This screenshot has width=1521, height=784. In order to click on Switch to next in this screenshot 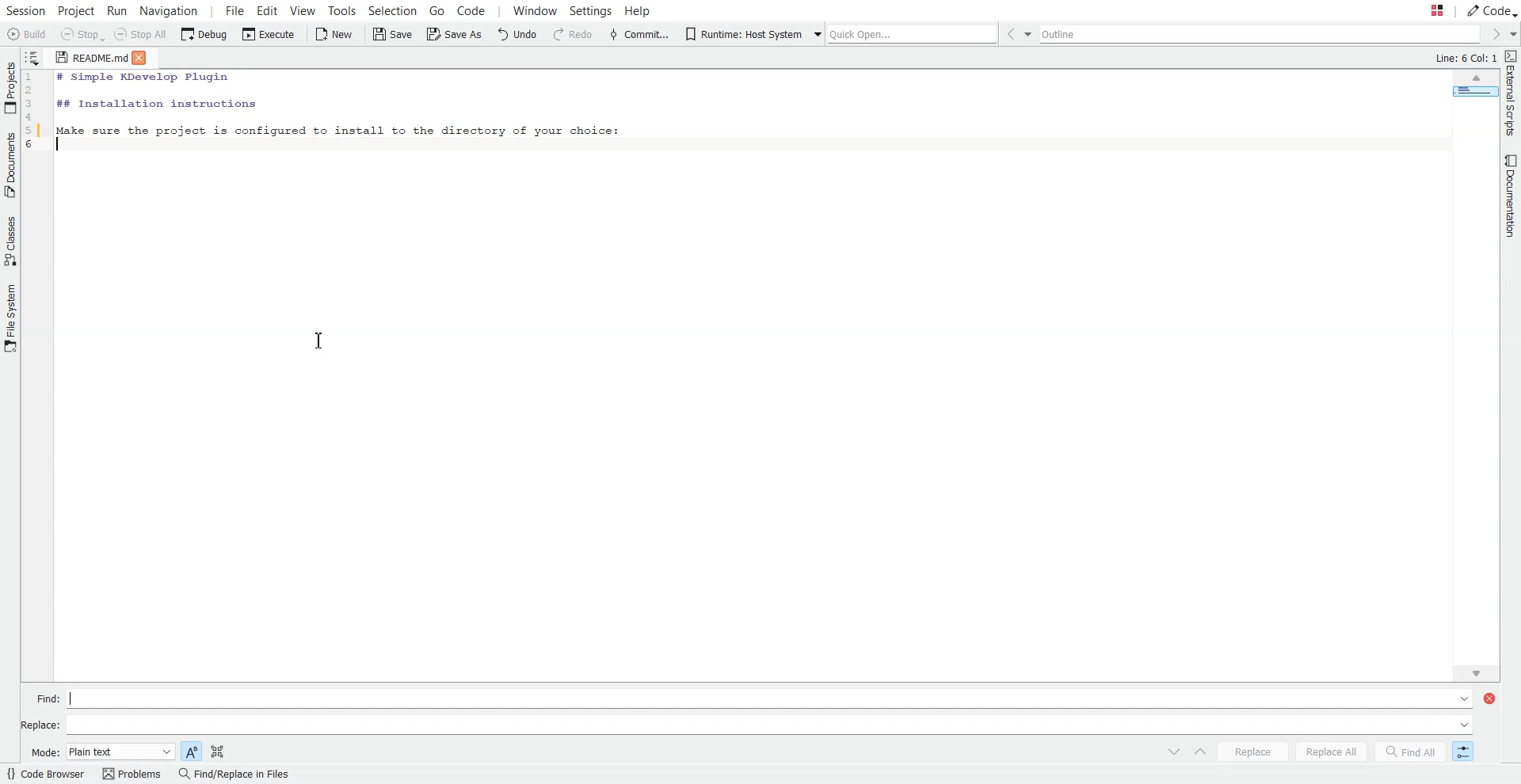, I will do `click(1174, 752)`.